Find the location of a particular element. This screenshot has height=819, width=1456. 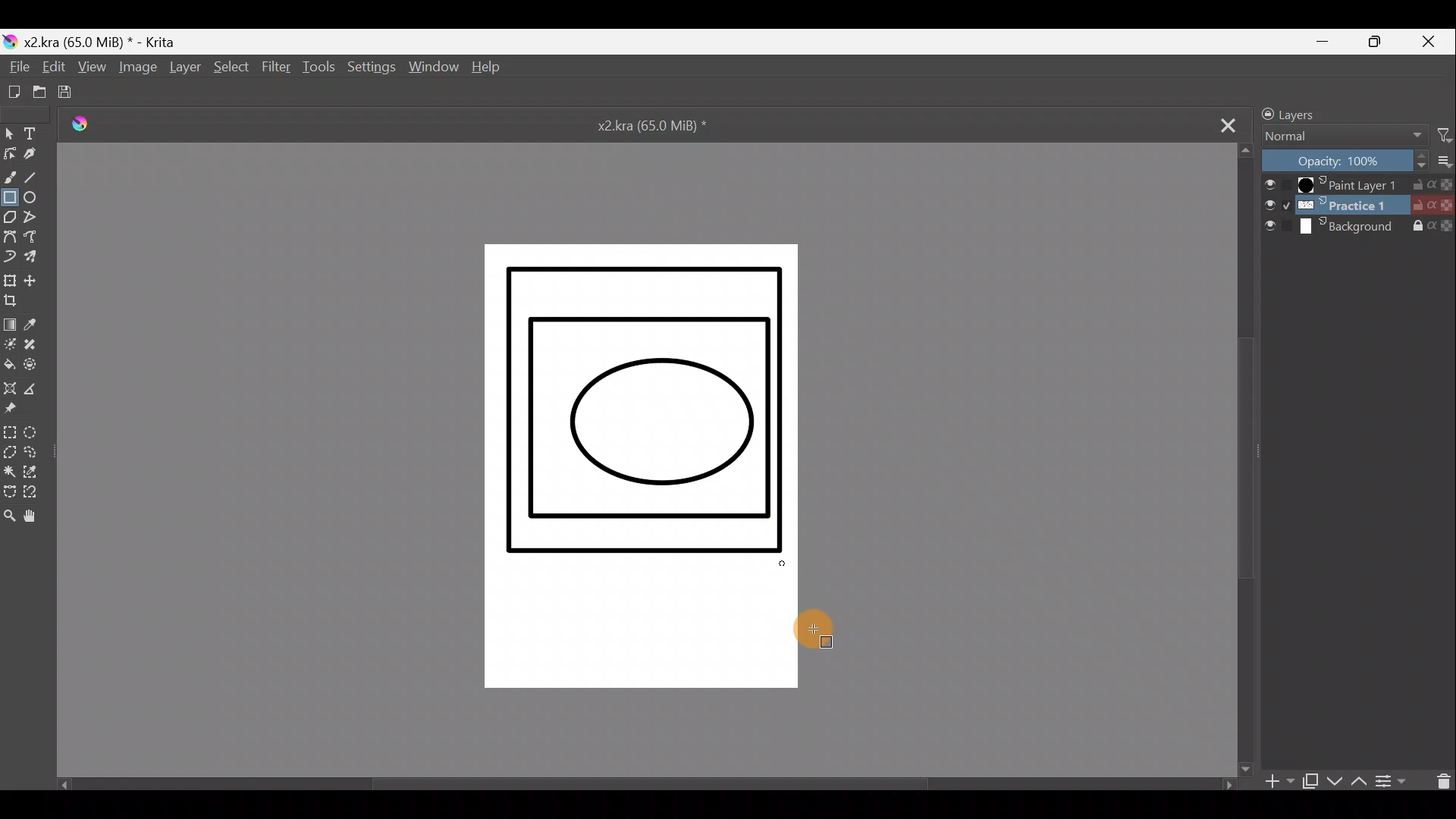

Add layer is located at coordinates (1277, 786).